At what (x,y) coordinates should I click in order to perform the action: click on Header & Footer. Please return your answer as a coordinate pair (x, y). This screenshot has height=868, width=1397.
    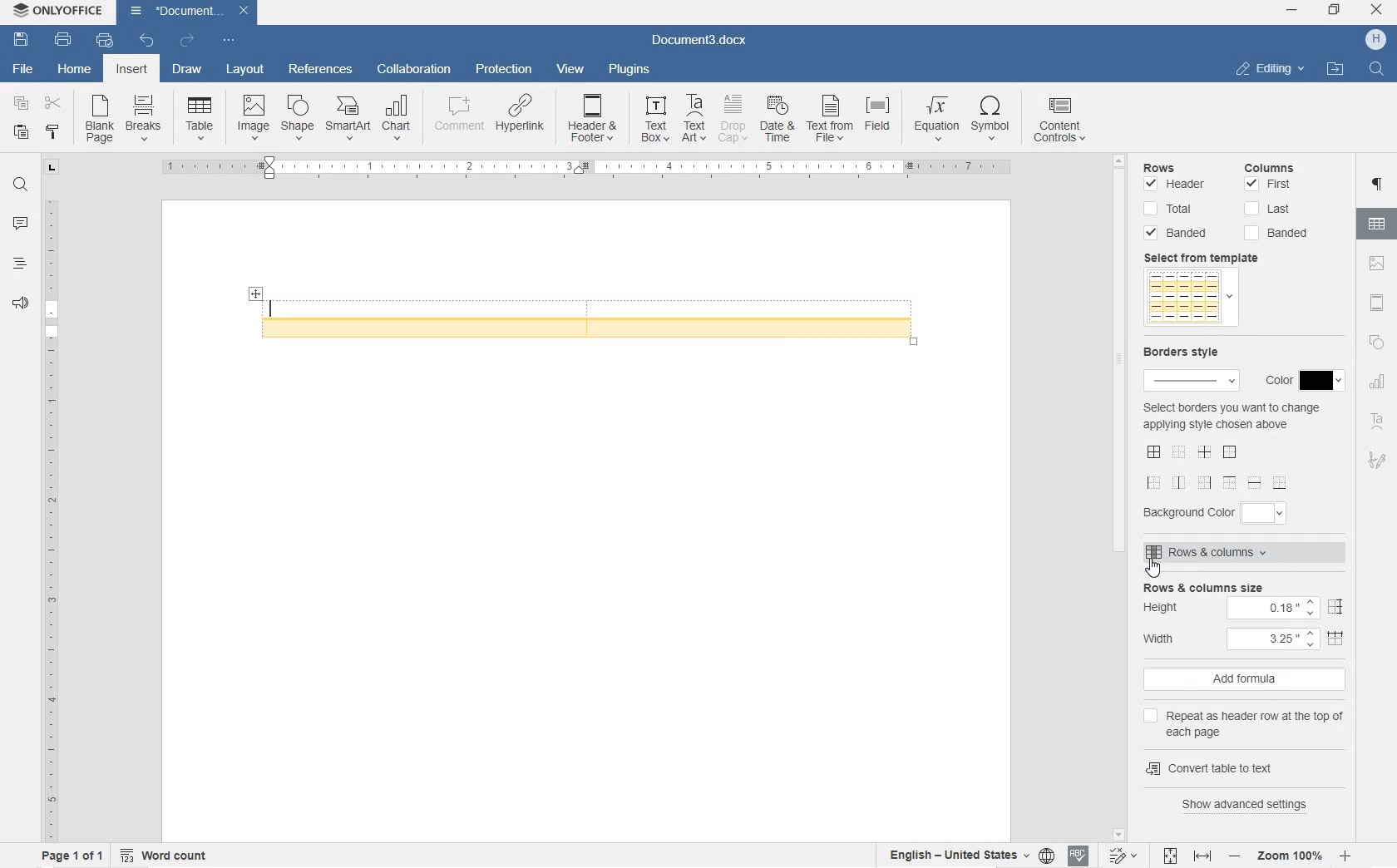
    Looking at the image, I should click on (594, 121).